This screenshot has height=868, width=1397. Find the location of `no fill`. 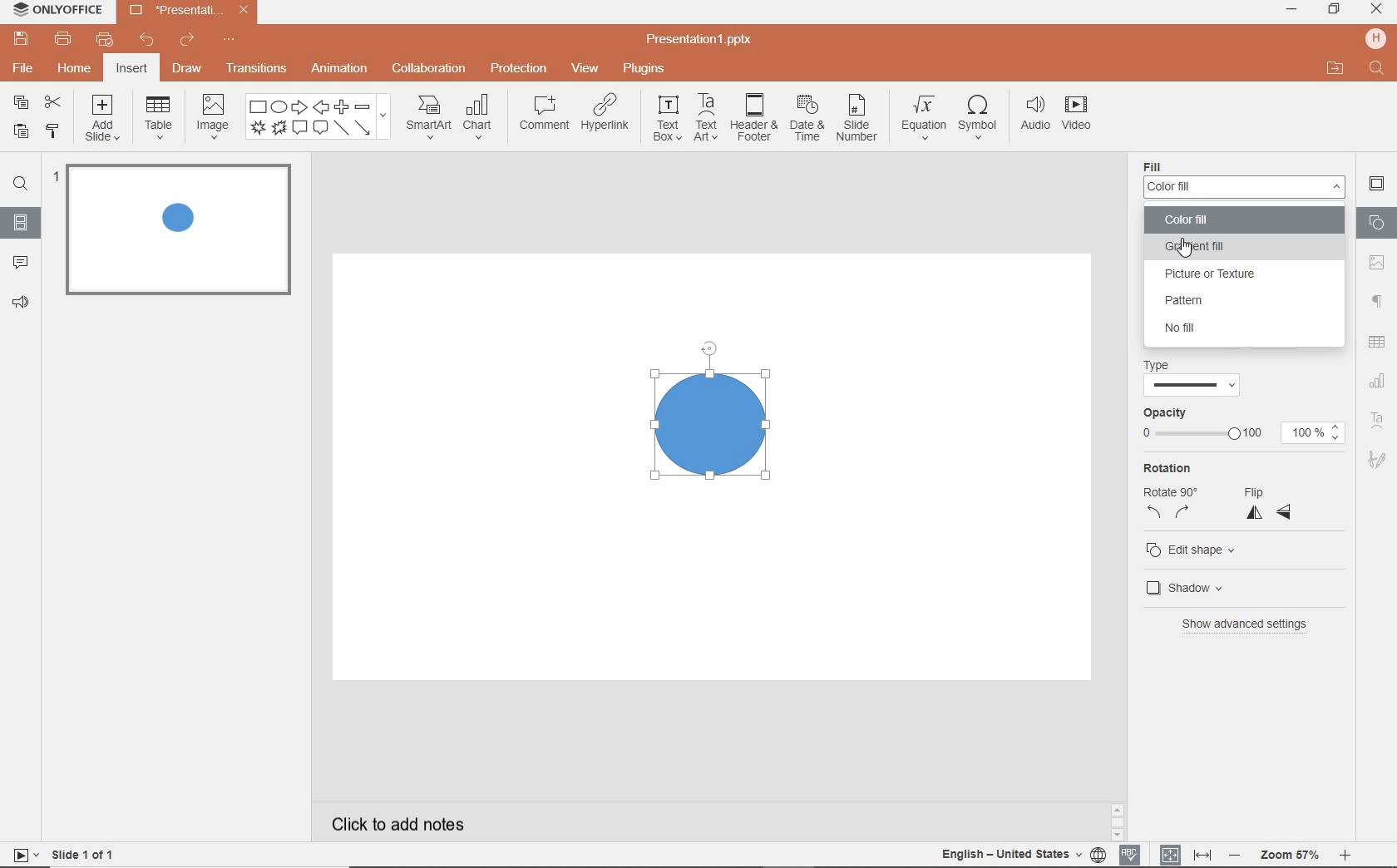

no fill is located at coordinates (1179, 328).